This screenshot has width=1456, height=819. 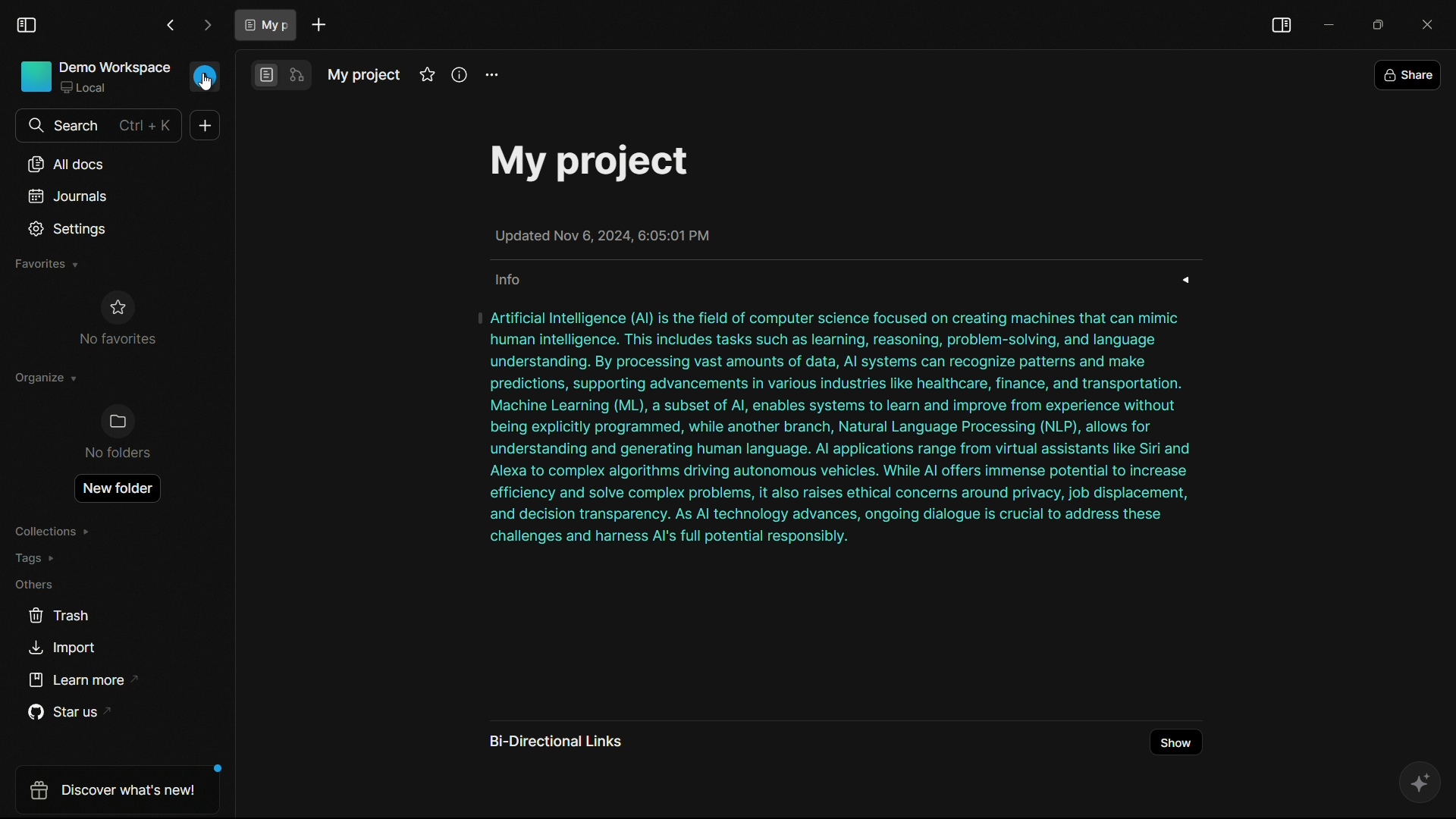 What do you see at coordinates (1187, 280) in the screenshot?
I see `expand` at bounding box center [1187, 280].